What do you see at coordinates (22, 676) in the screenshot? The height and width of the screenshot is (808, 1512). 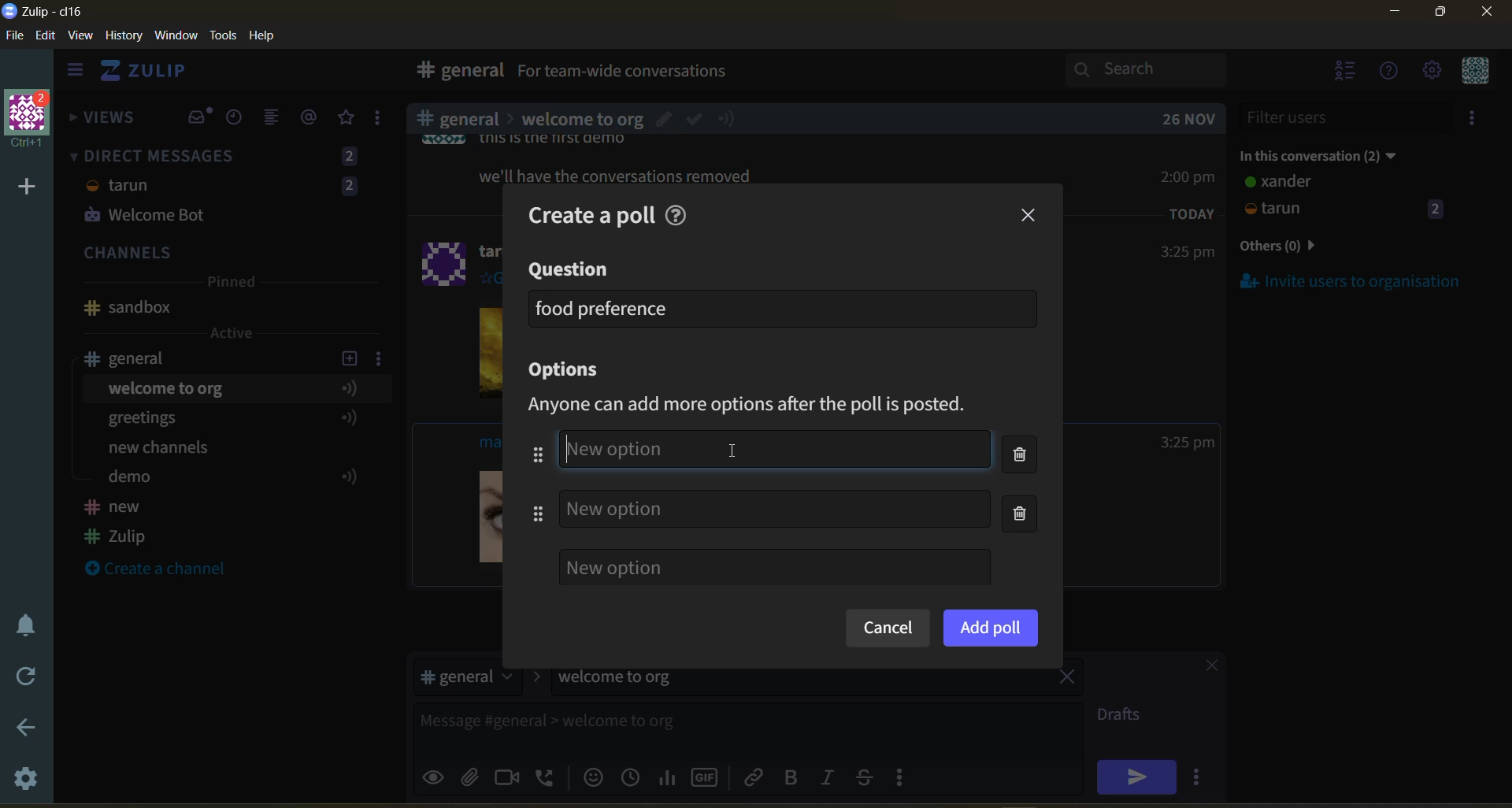 I see `reload` at bounding box center [22, 676].